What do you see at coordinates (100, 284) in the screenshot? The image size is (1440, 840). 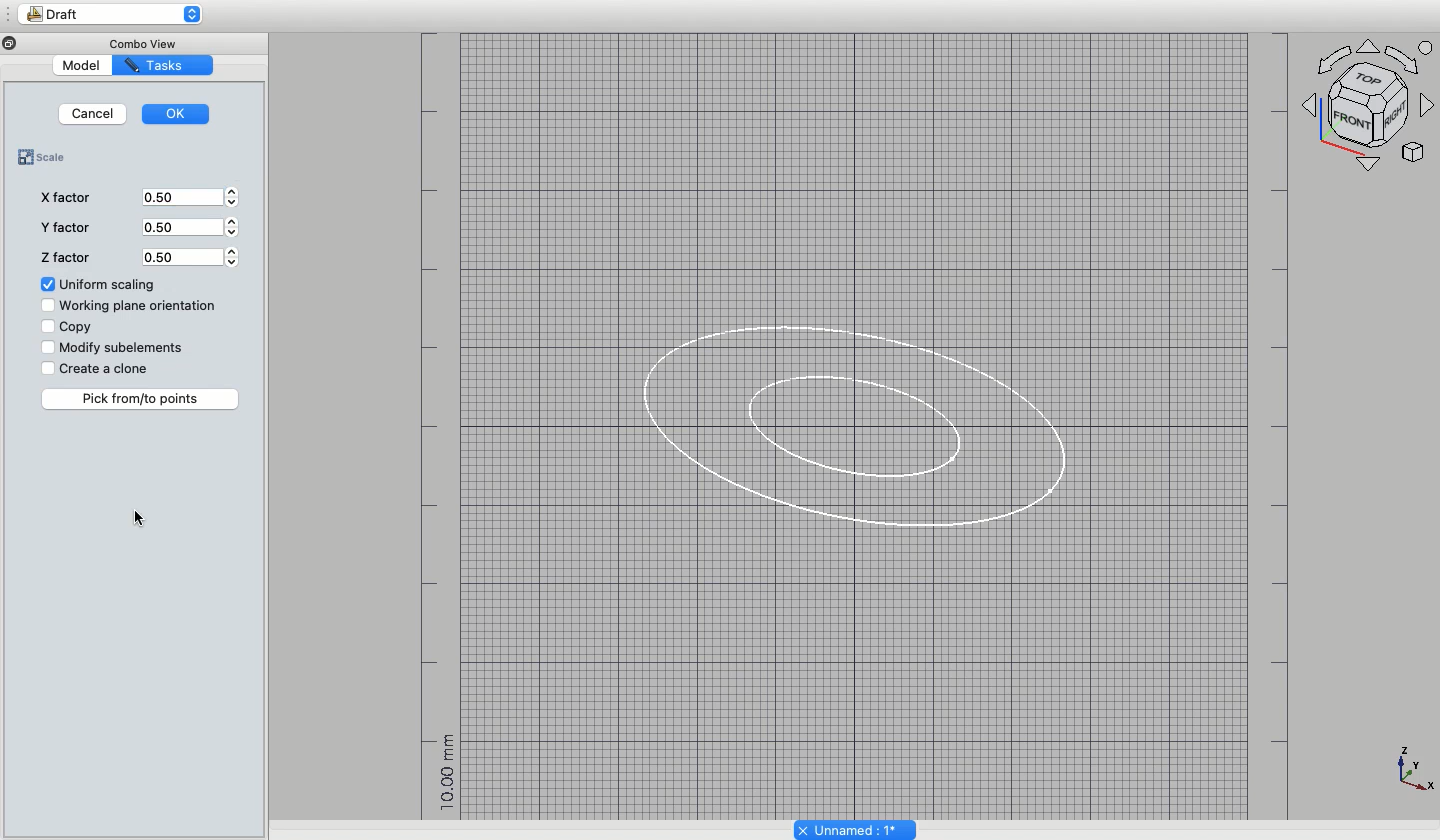 I see `Uniform scaling` at bounding box center [100, 284].